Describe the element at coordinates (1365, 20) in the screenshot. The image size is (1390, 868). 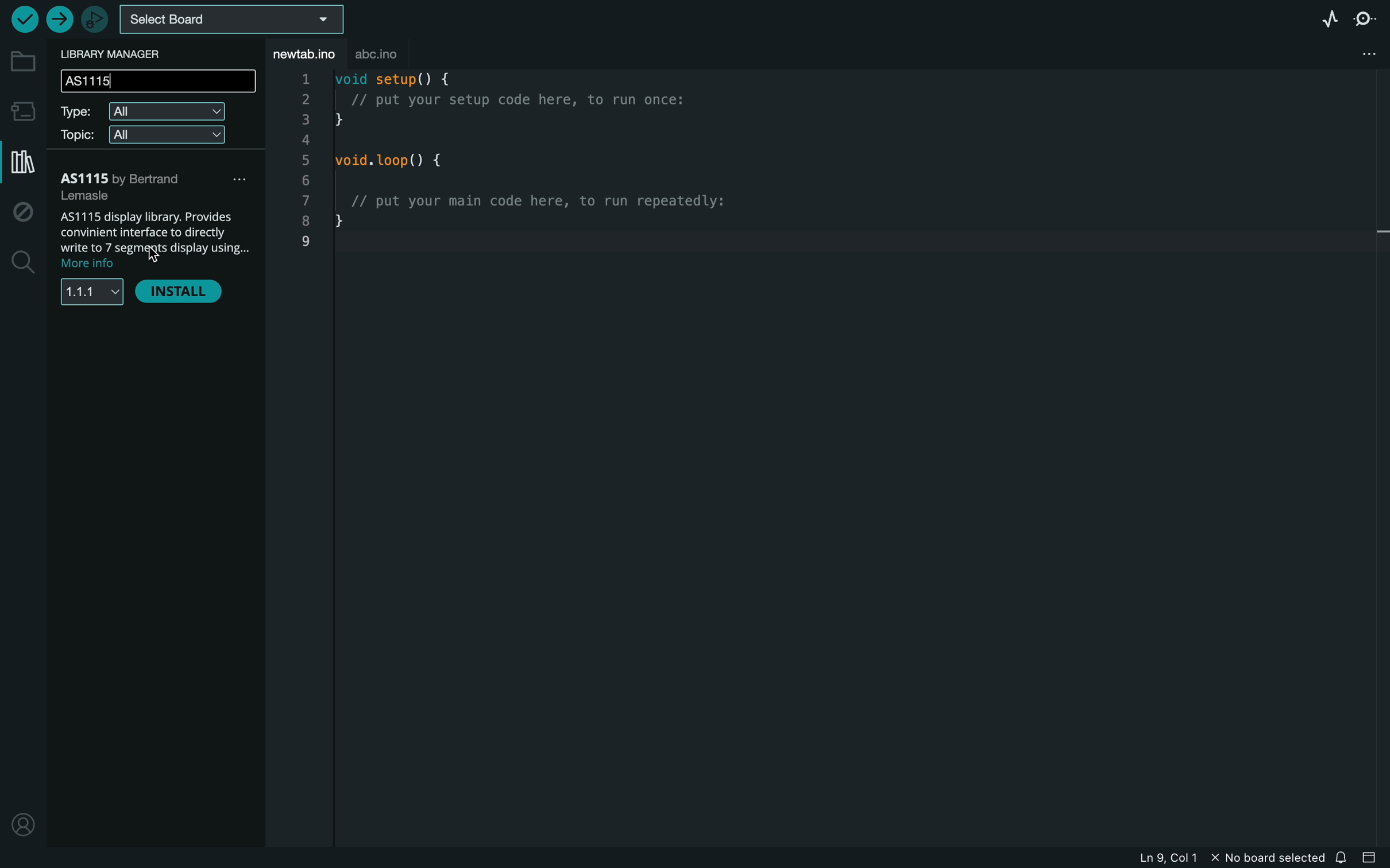
I see `serial monitor` at that location.